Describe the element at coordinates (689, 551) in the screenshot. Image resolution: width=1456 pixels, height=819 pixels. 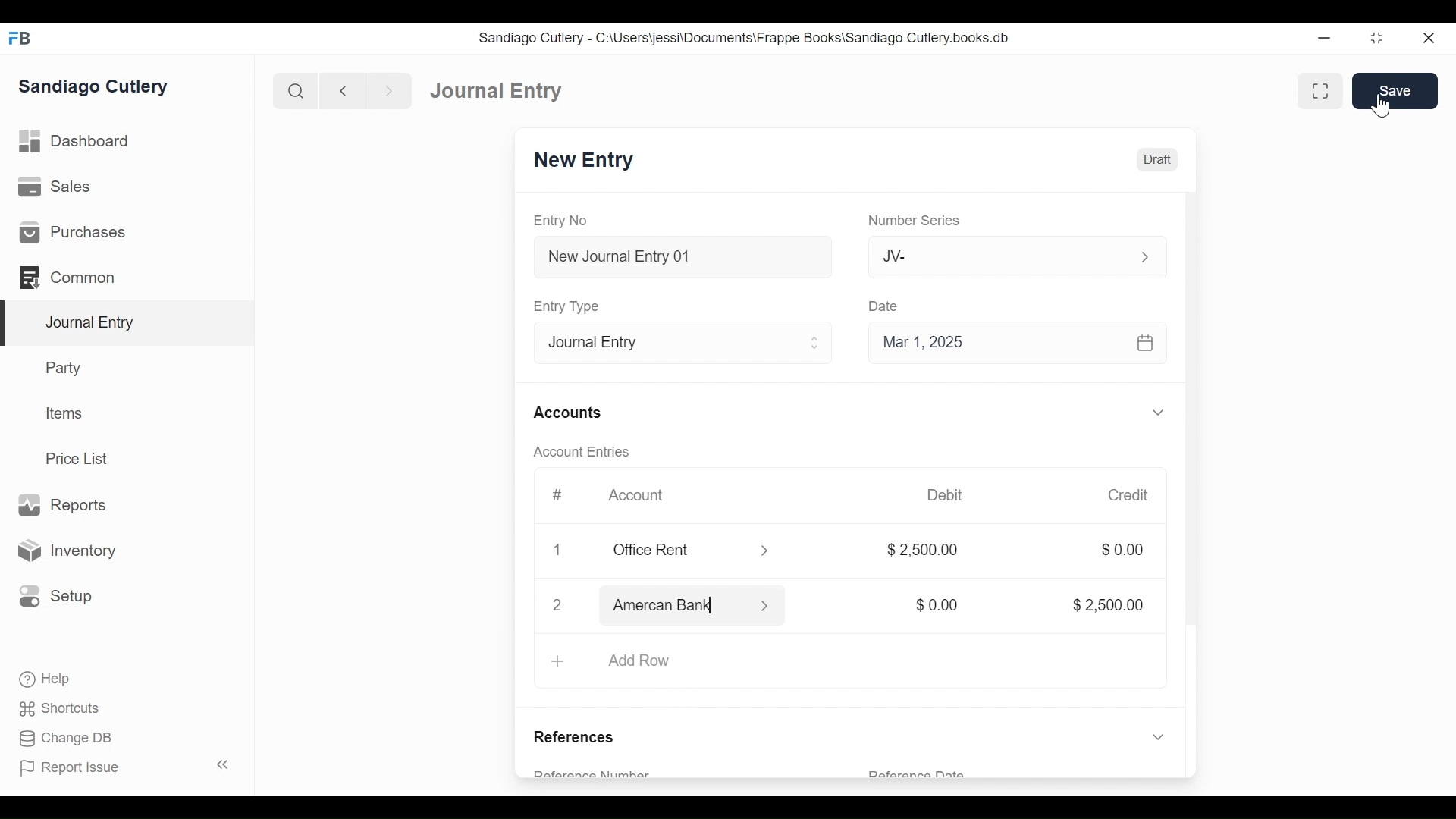
I see `office rent` at that location.